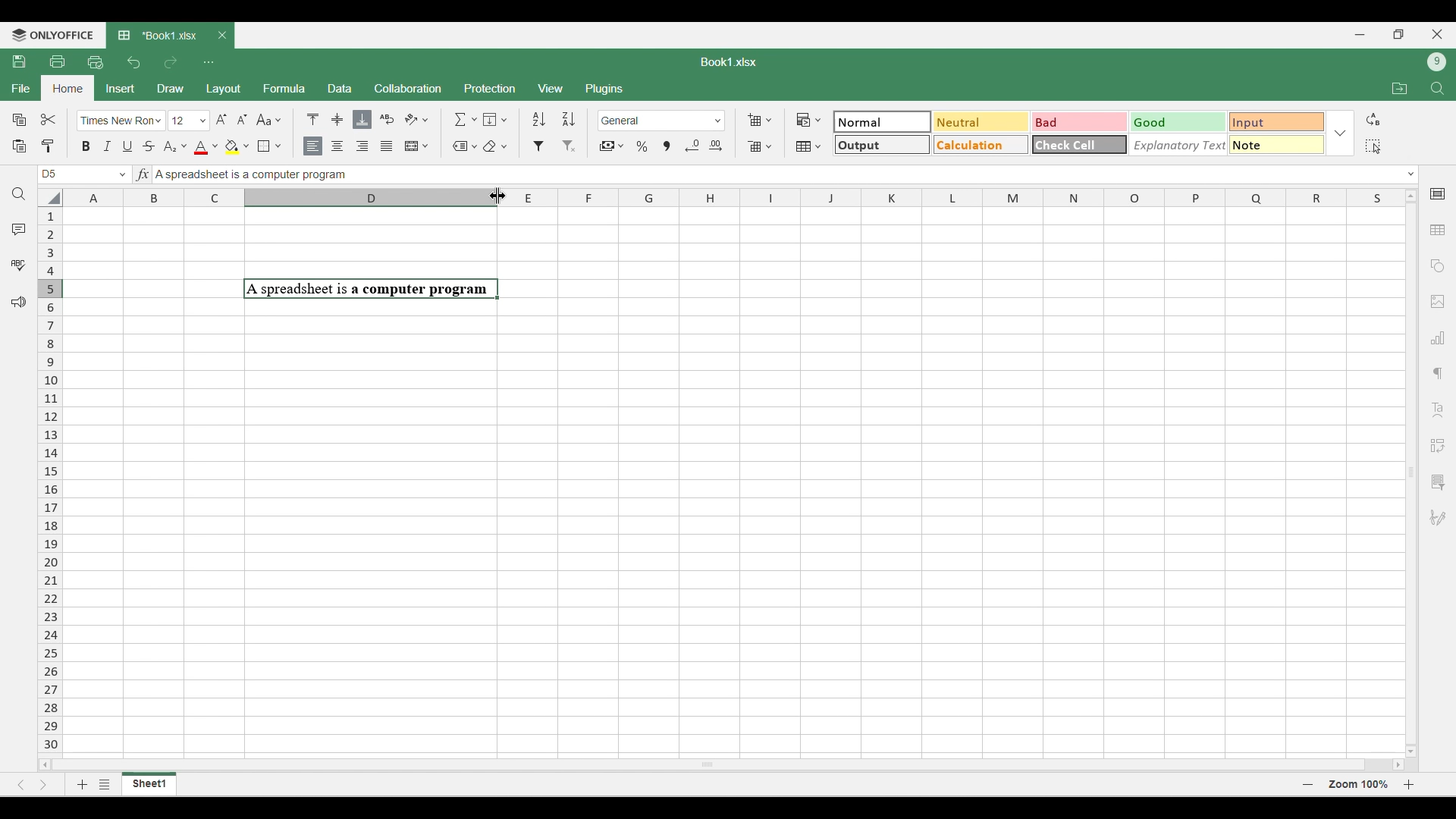  Describe the element at coordinates (1436, 266) in the screenshot. I see `Insert shape` at that location.